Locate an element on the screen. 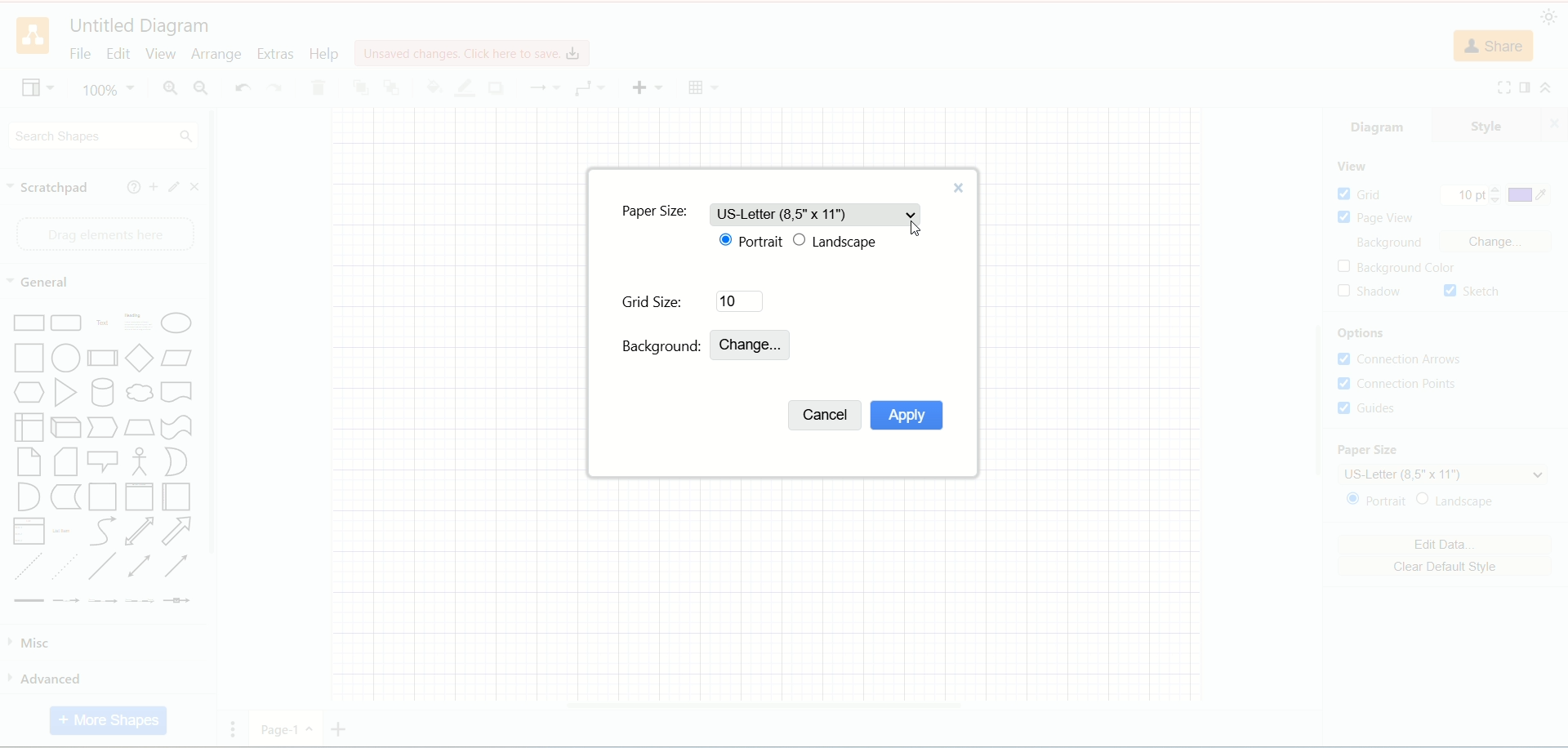  Curves is located at coordinates (102, 533).